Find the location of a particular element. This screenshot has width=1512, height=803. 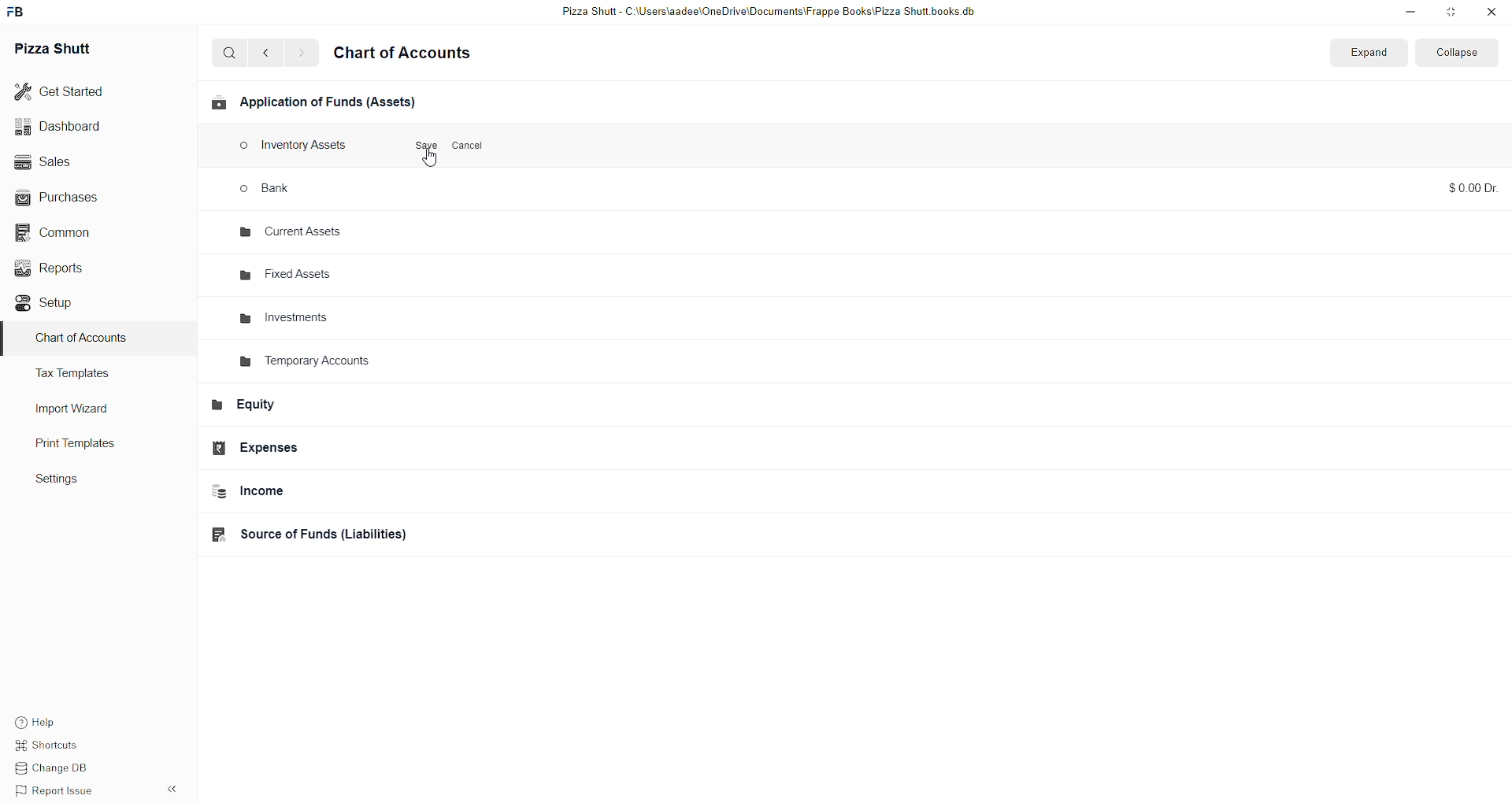

investments  is located at coordinates (281, 318).